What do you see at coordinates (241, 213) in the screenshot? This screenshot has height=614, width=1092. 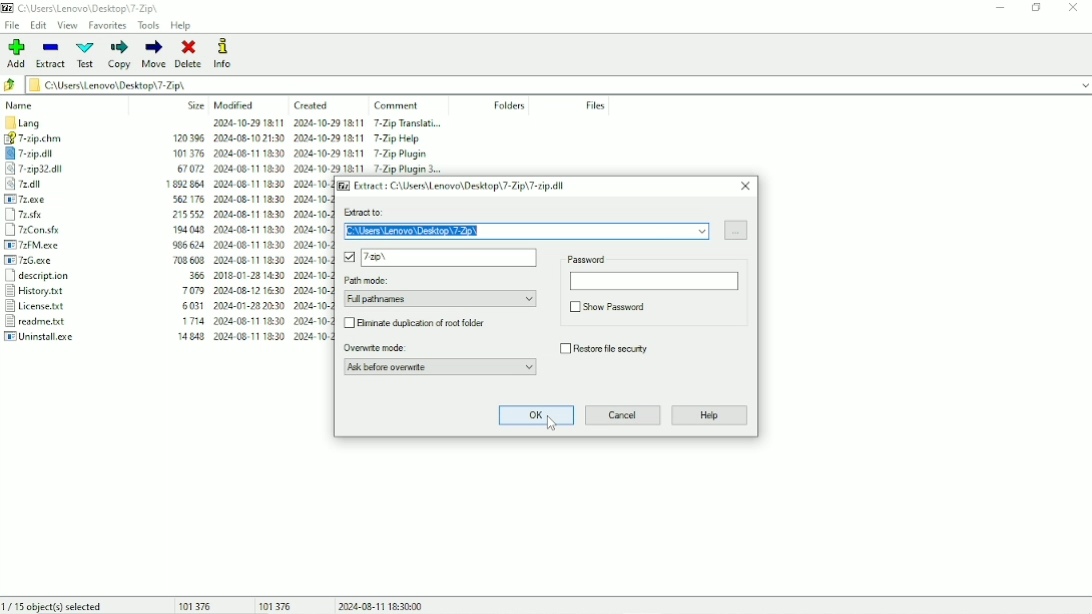 I see `S42 ERY WANE. 111830 MOLI 1211 T.Tie CAE SEY` at bounding box center [241, 213].